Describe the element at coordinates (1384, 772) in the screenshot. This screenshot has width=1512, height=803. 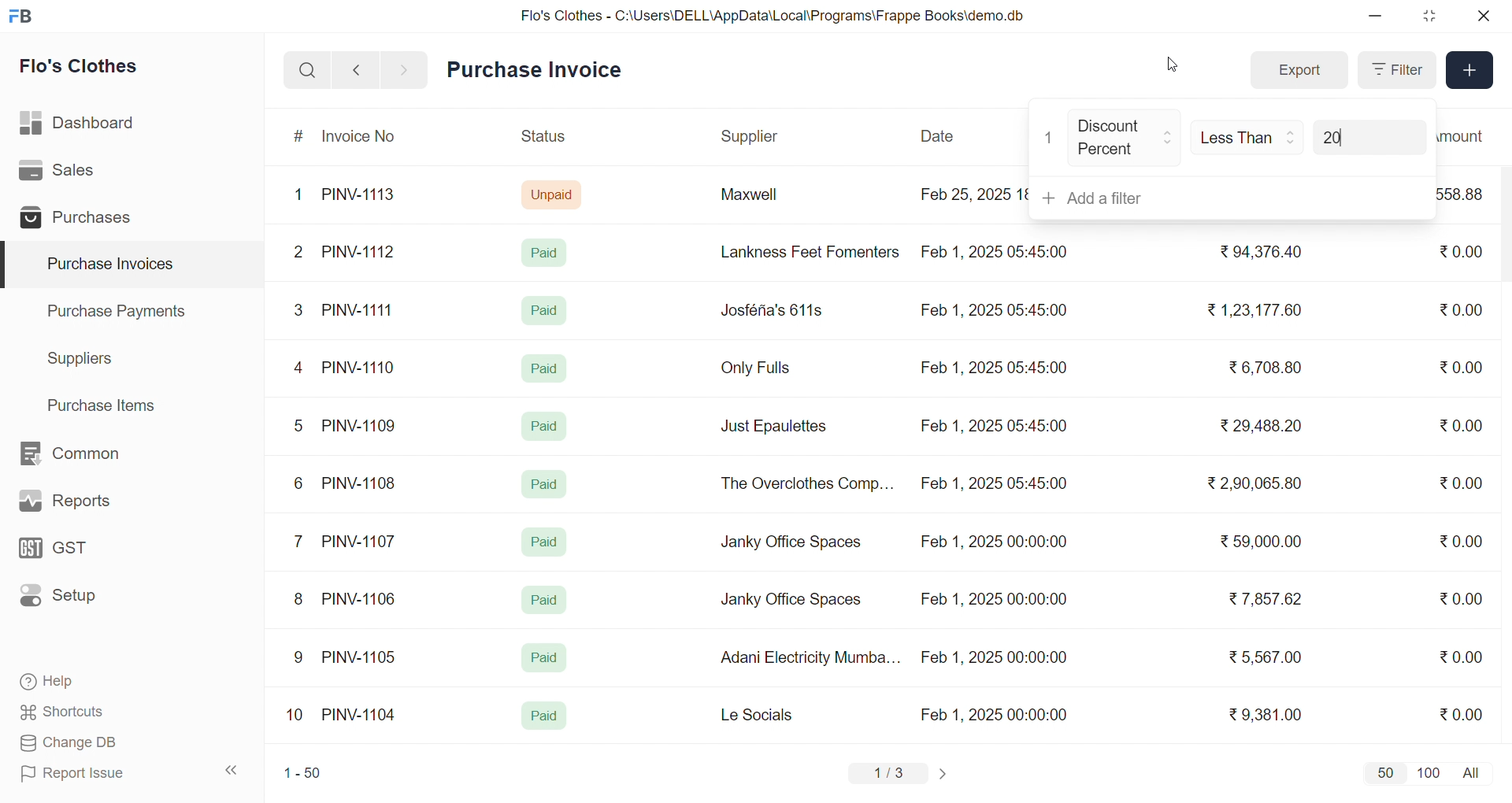
I see `50` at that location.